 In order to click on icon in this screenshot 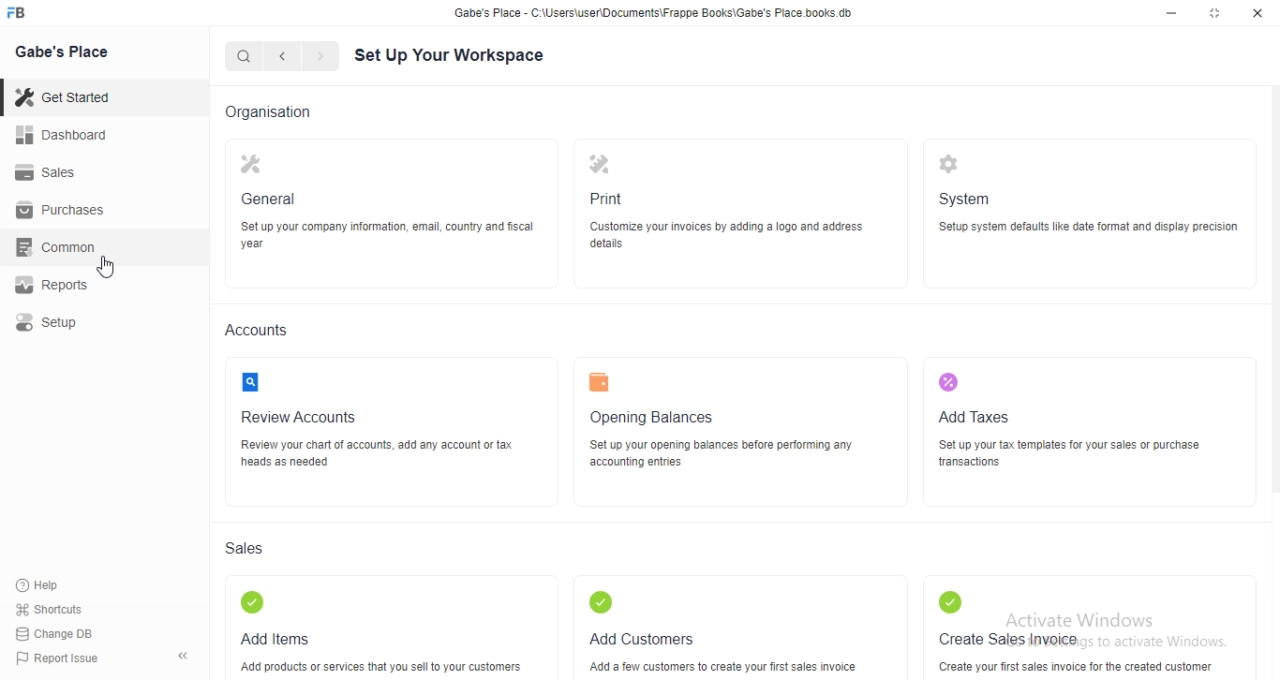, I will do `click(948, 166)`.